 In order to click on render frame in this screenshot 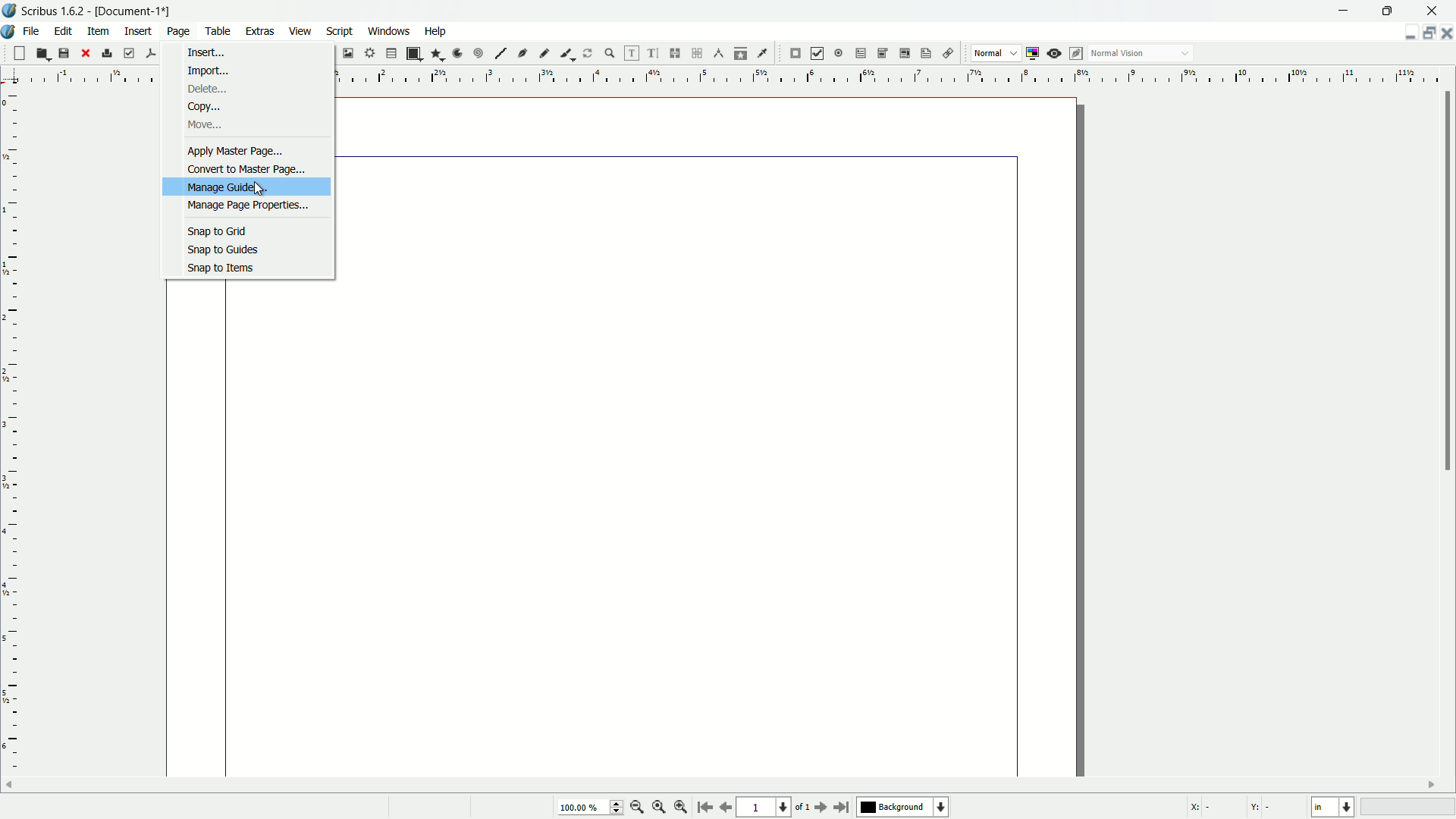, I will do `click(368, 53)`.